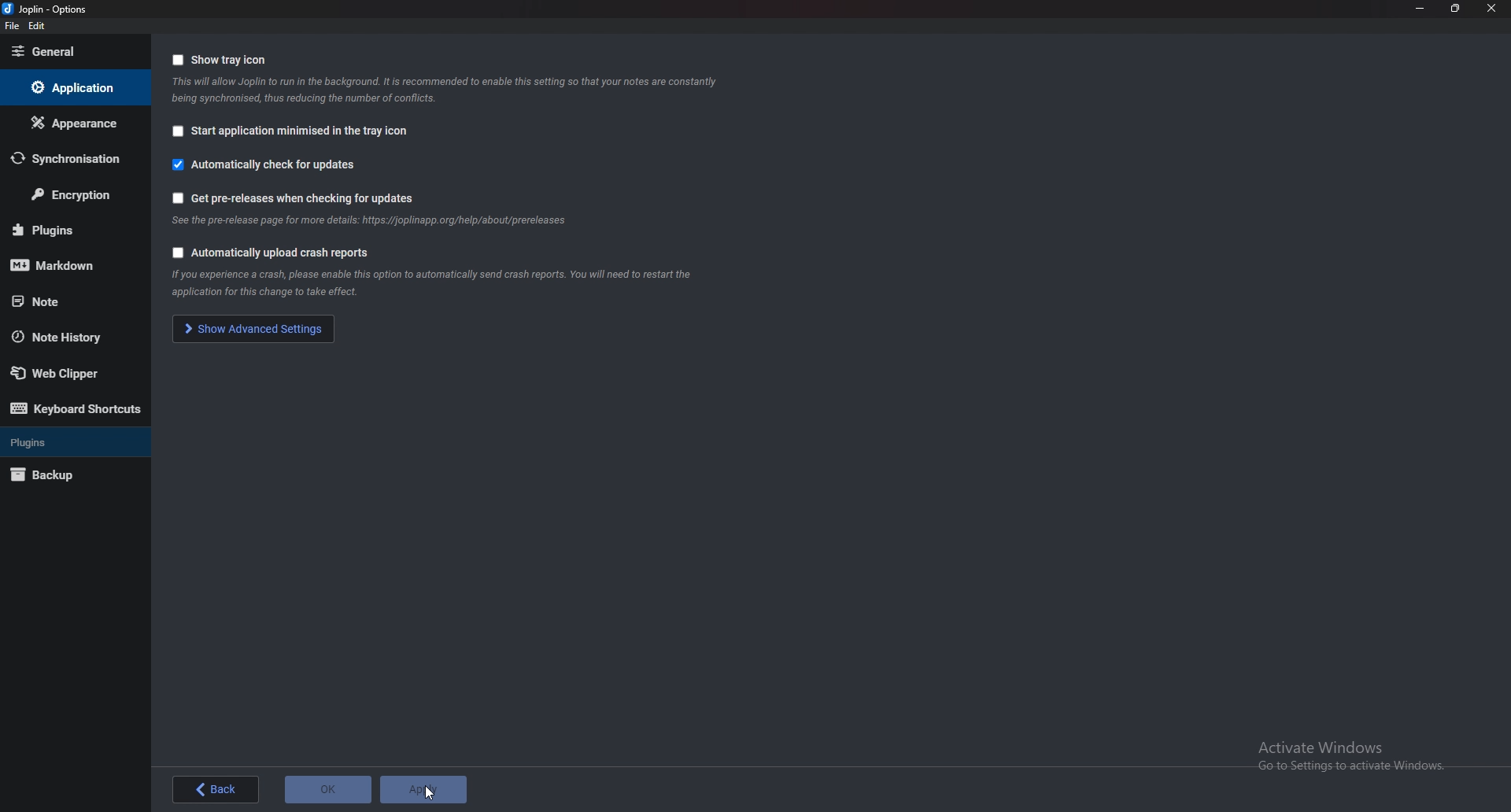 This screenshot has height=812, width=1511. What do you see at coordinates (71, 336) in the screenshot?
I see `Note history` at bounding box center [71, 336].